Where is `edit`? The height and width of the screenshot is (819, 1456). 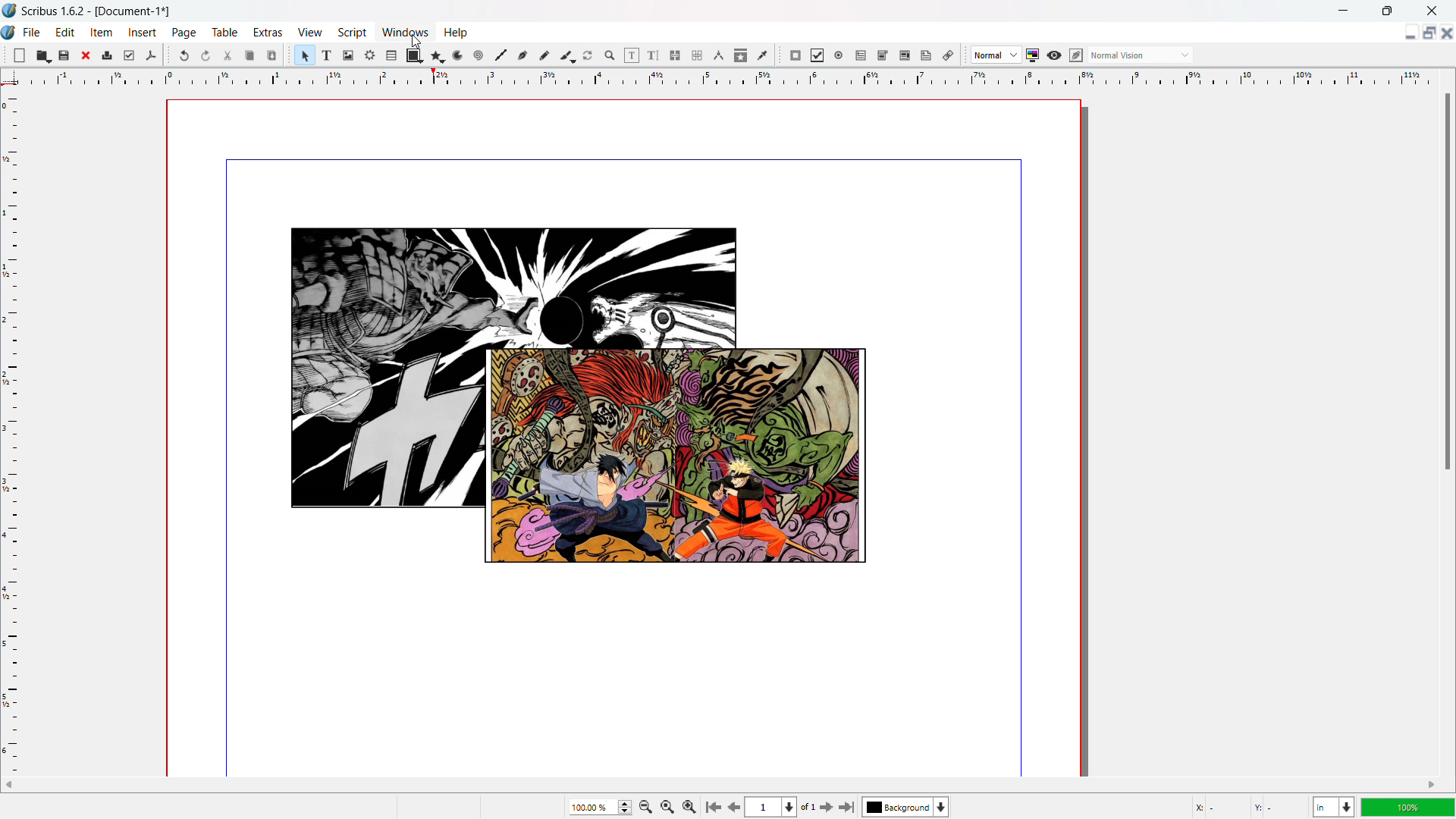
edit is located at coordinates (67, 33).